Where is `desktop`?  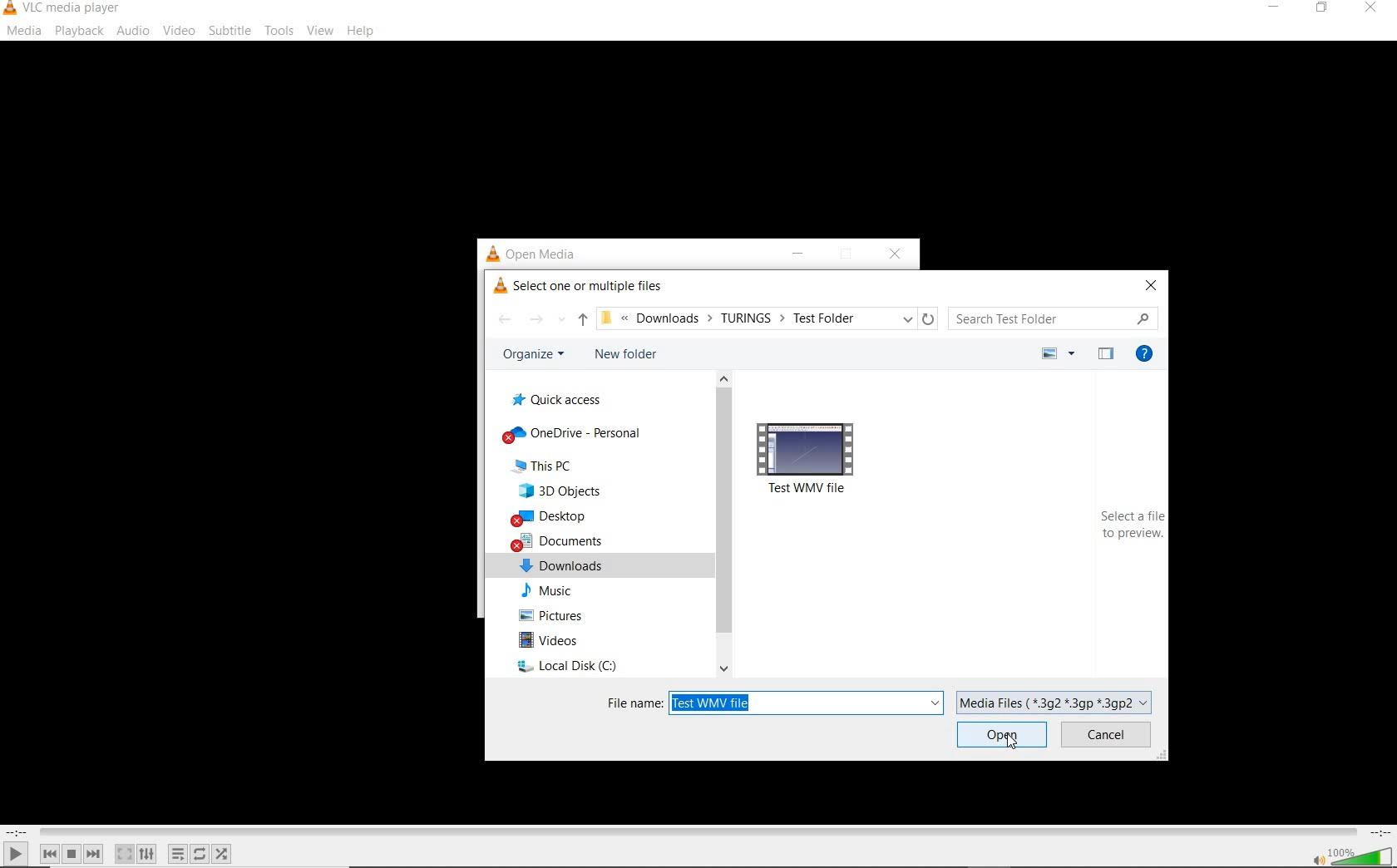
desktop is located at coordinates (567, 516).